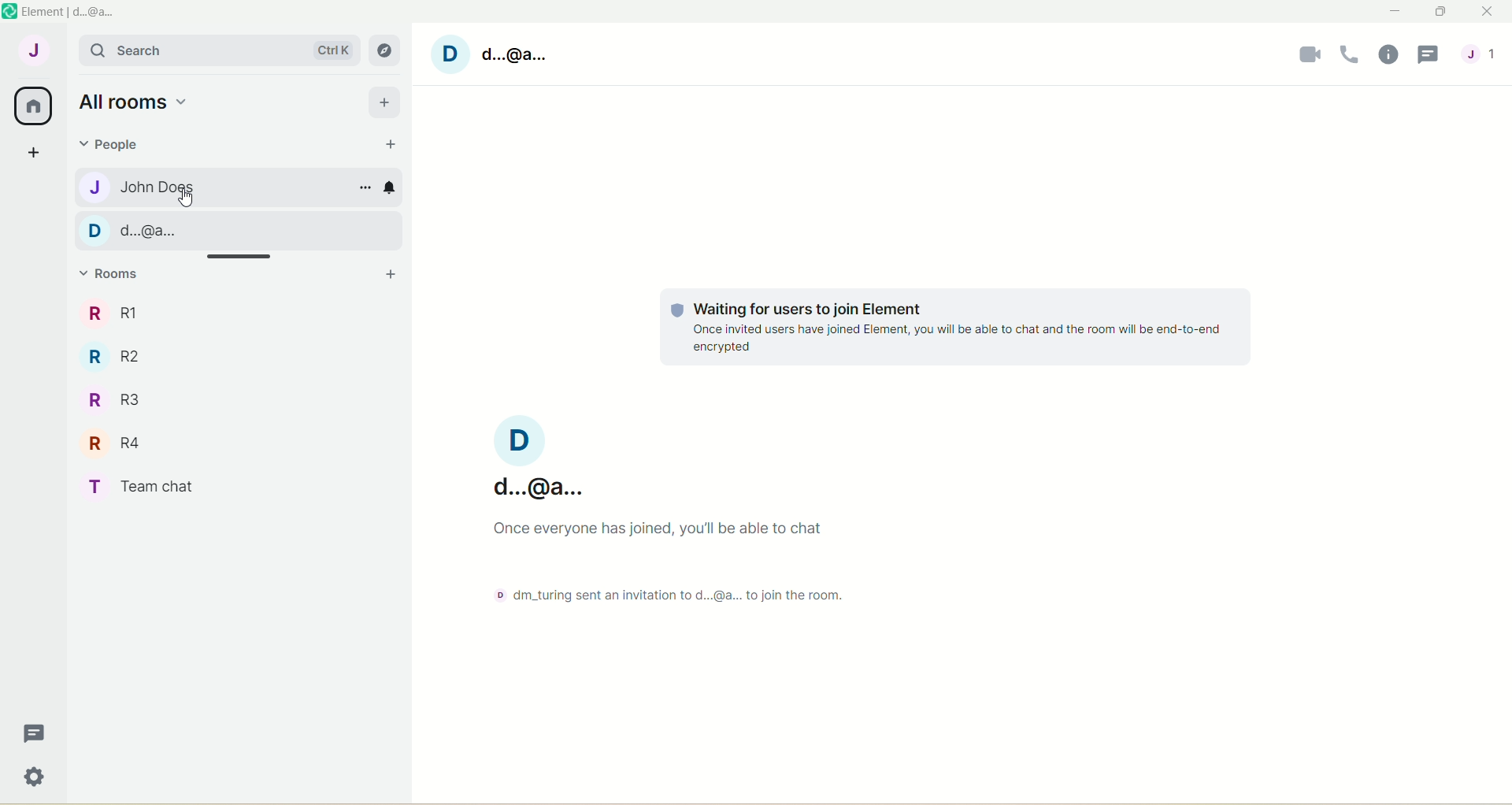 This screenshot has height=805, width=1512. Describe the element at coordinates (112, 312) in the screenshot. I see `R1` at that location.